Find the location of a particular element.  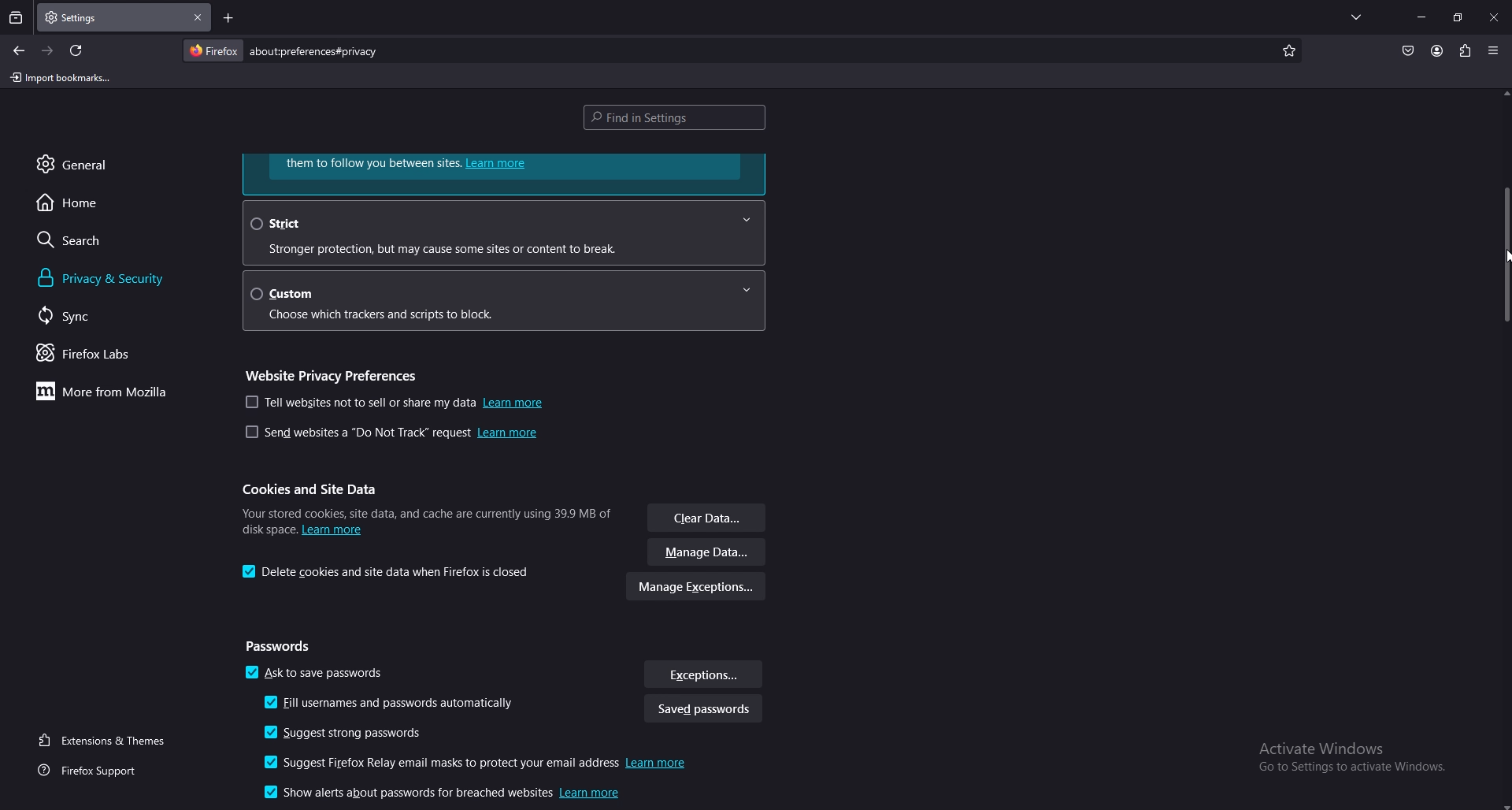

close is located at coordinates (1494, 19).